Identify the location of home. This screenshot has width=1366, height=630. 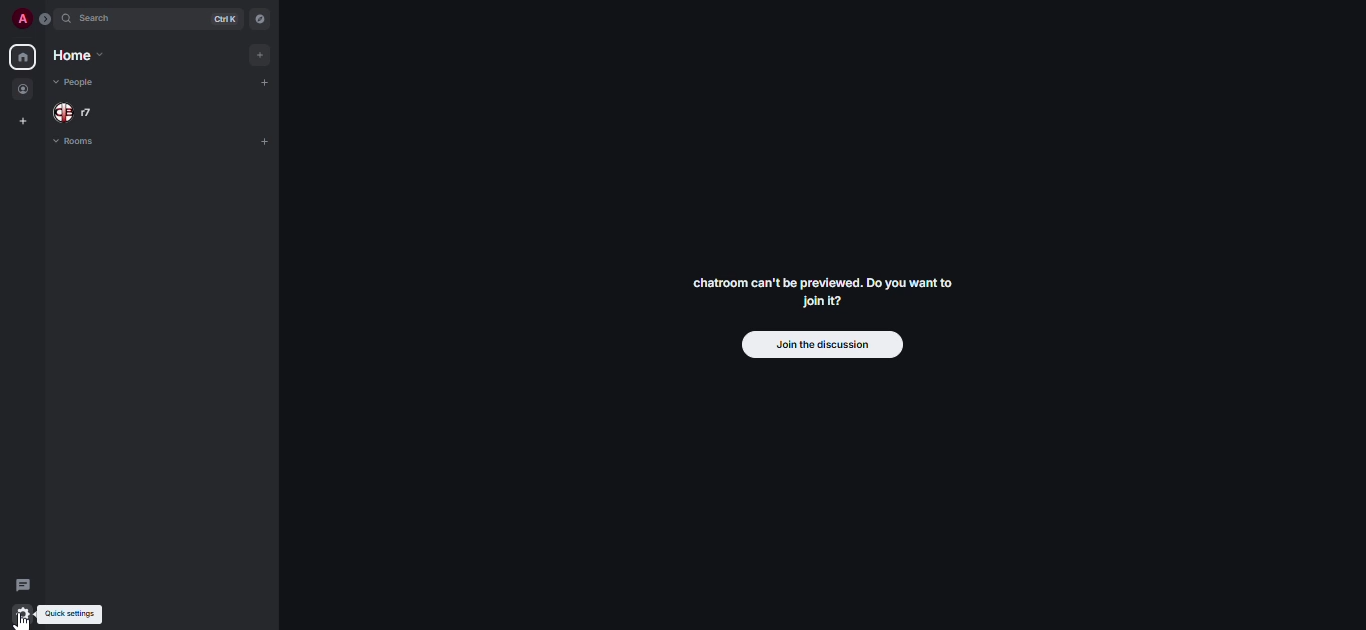
(21, 57).